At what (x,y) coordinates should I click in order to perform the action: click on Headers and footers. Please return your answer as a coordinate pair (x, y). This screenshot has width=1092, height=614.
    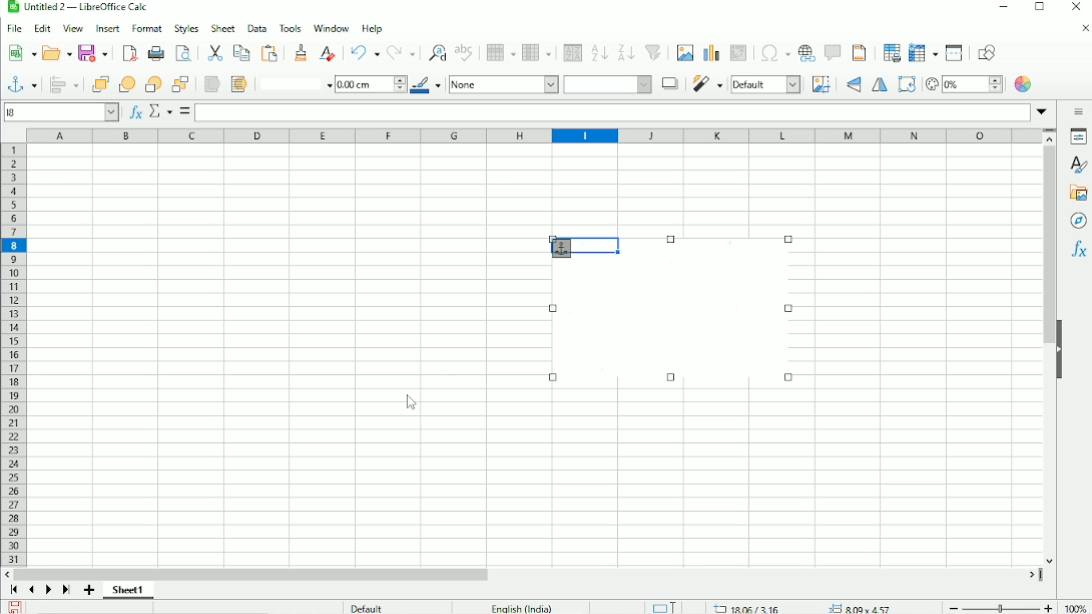
    Looking at the image, I should click on (861, 52).